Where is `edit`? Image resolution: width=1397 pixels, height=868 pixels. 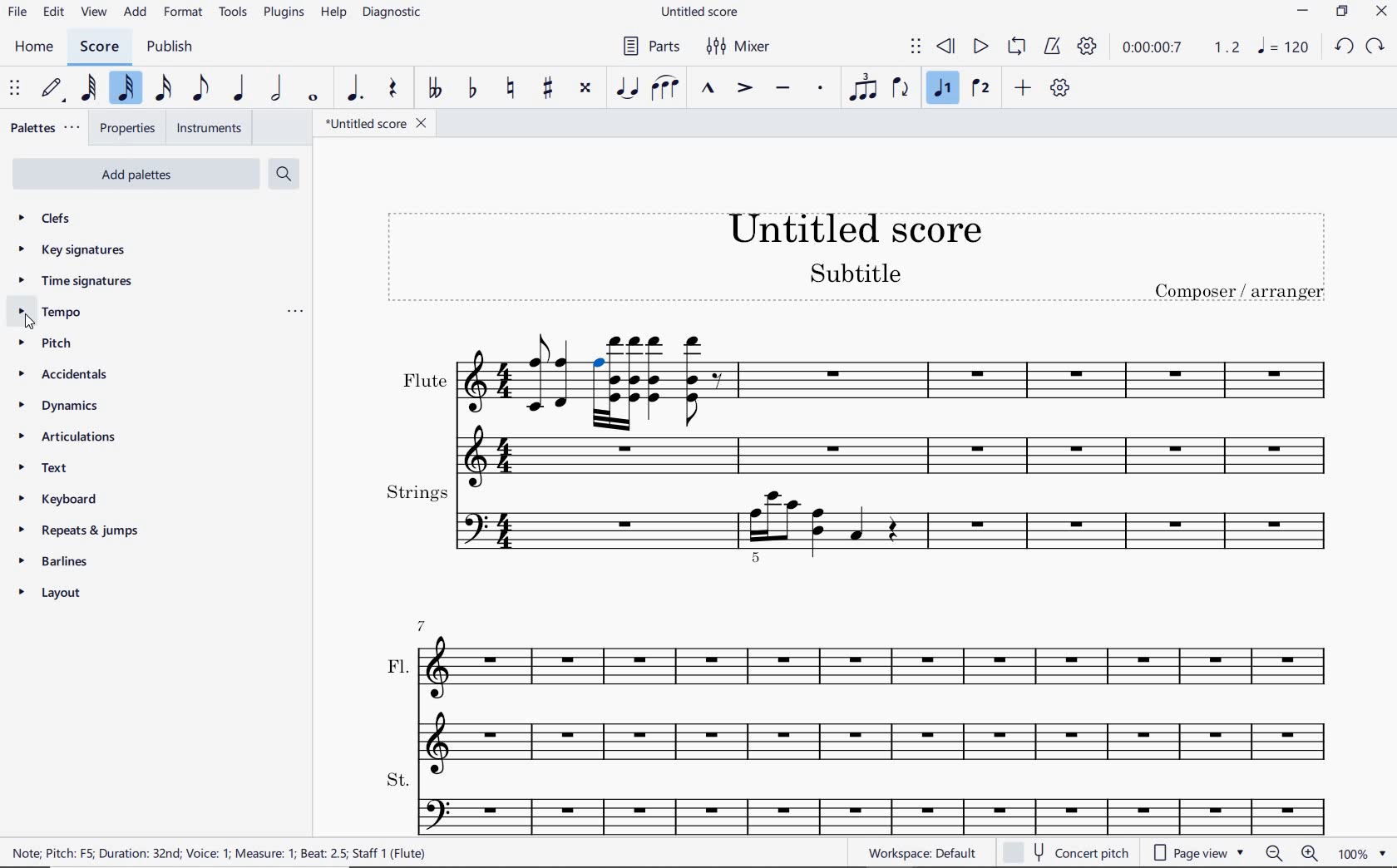 edit is located at coordinates (52, 11).